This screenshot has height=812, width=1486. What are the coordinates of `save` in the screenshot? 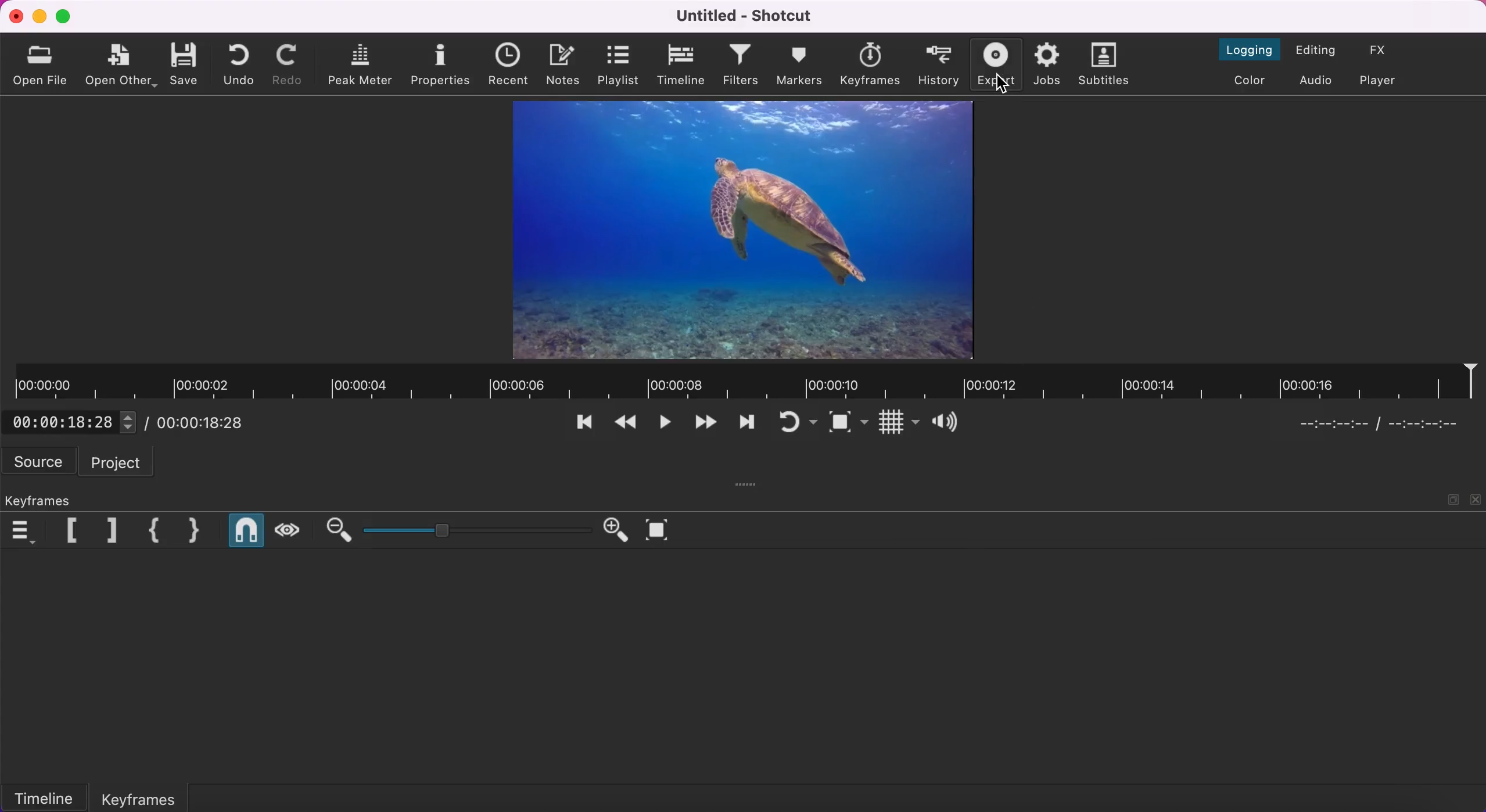 It's located at (184, 62).